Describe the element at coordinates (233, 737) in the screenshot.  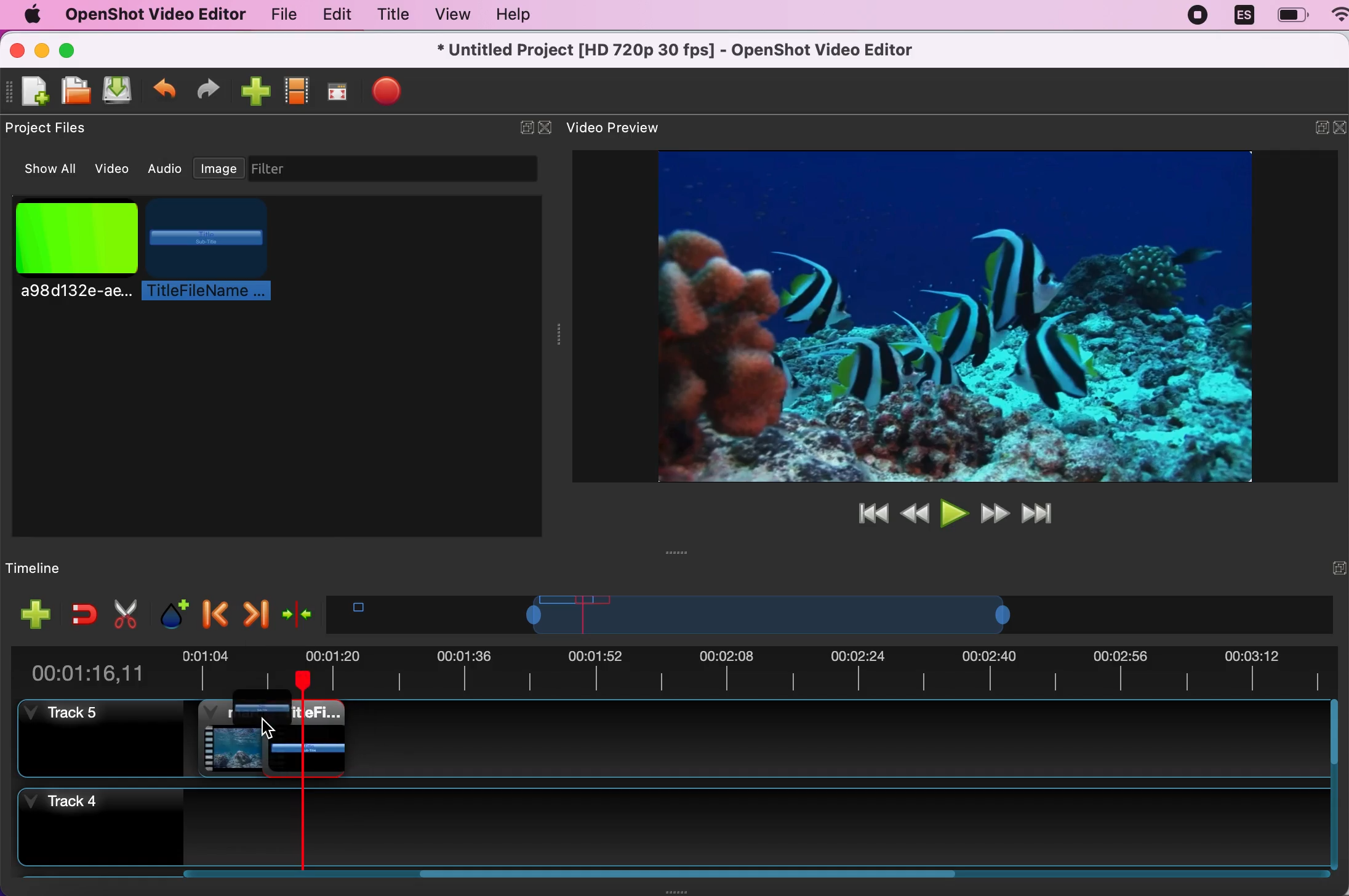
I see `clip 1` at that location.